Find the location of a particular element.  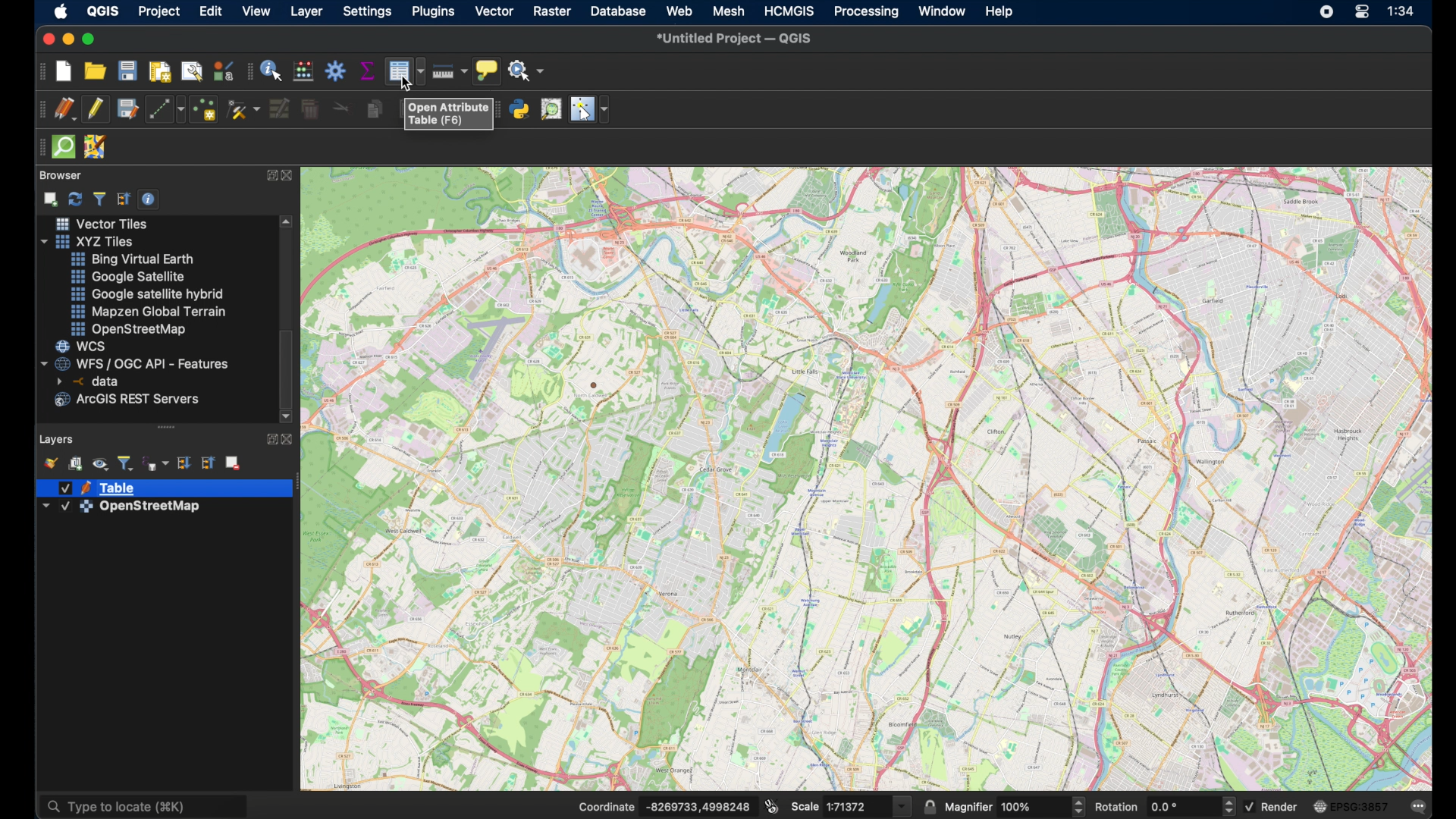

layer is located at coordinates (306, 11).